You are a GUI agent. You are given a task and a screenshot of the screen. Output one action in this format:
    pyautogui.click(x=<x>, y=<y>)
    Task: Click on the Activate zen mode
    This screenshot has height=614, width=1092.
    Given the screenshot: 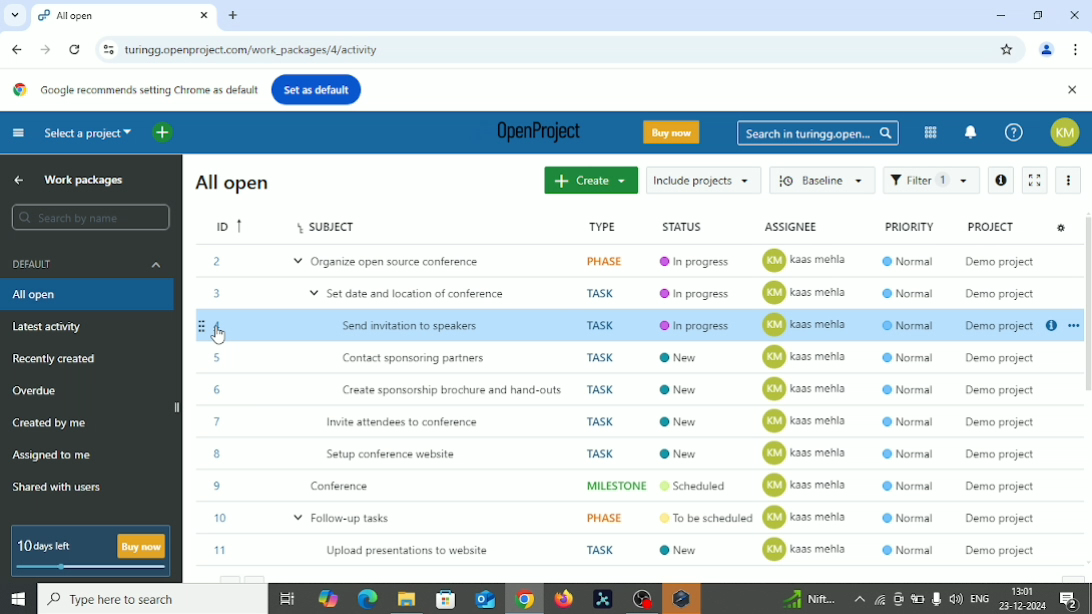 What is the action you would take?
    pyautogui.click(x=1037, y=179)
    